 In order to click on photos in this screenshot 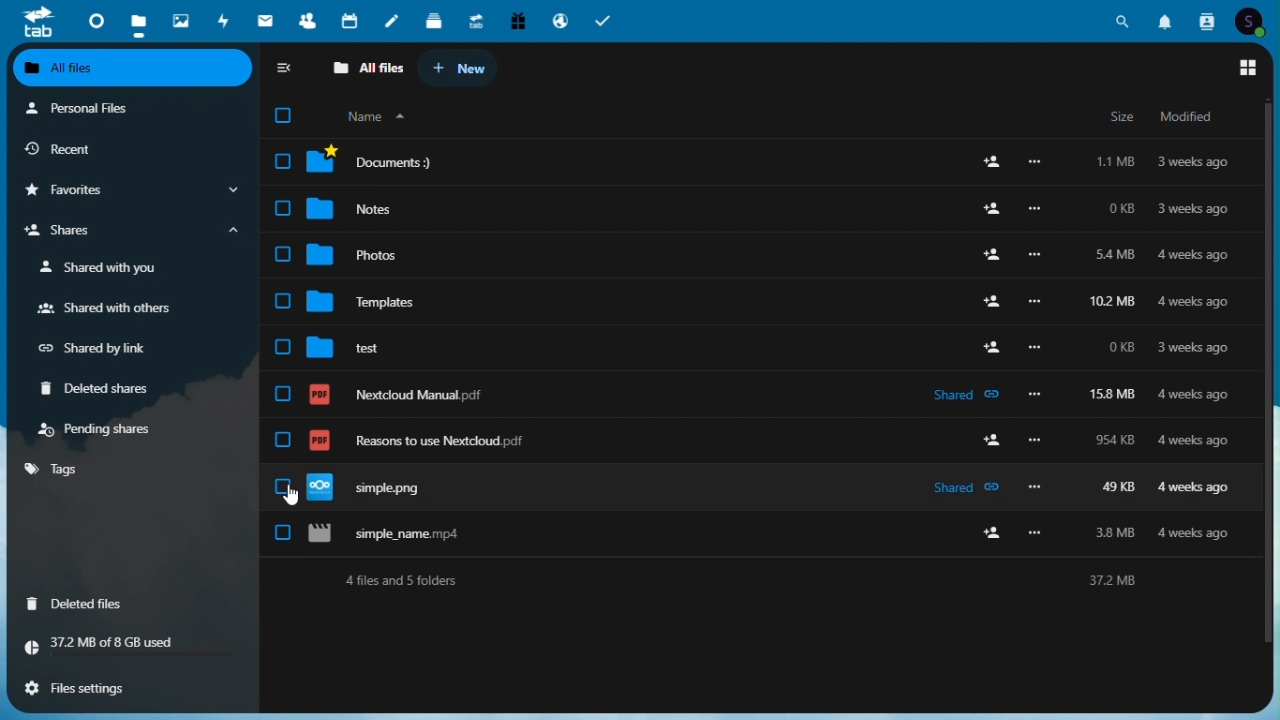, I will do `click(179, 17)`.